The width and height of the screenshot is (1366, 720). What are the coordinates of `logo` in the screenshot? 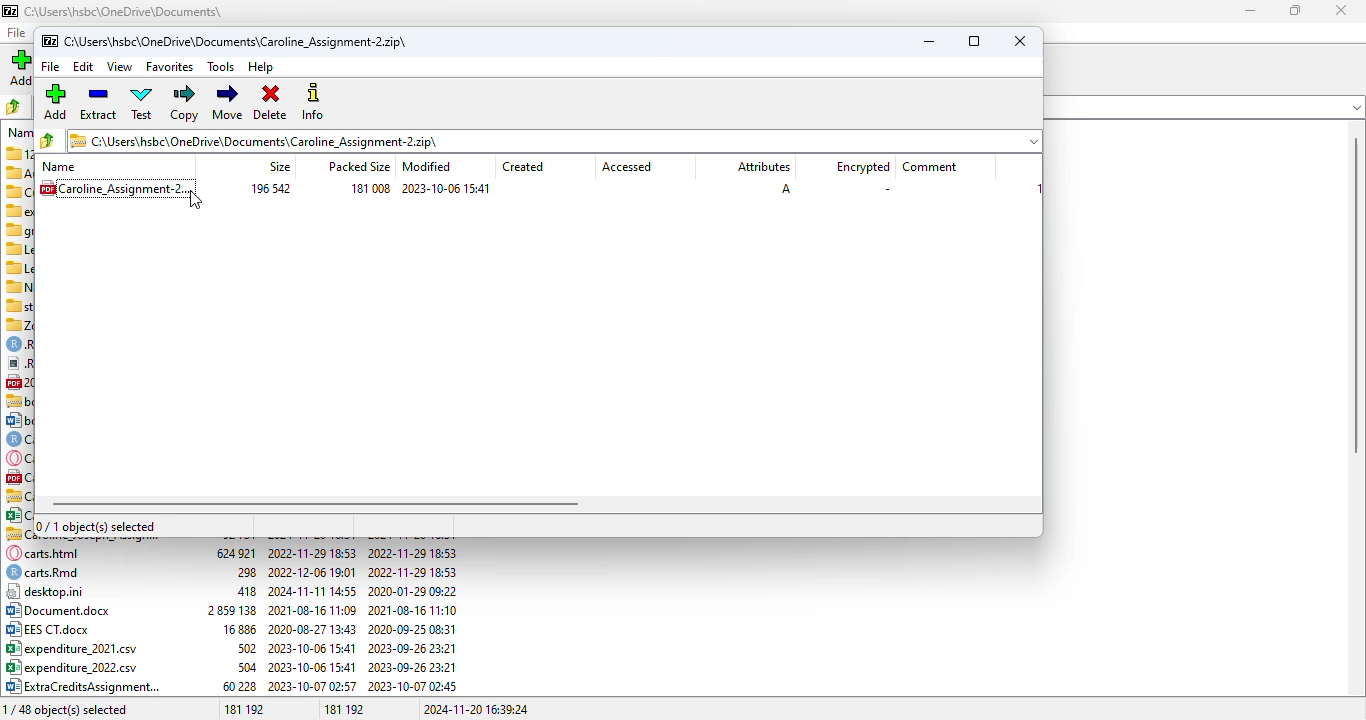 It's located at (50, 41).